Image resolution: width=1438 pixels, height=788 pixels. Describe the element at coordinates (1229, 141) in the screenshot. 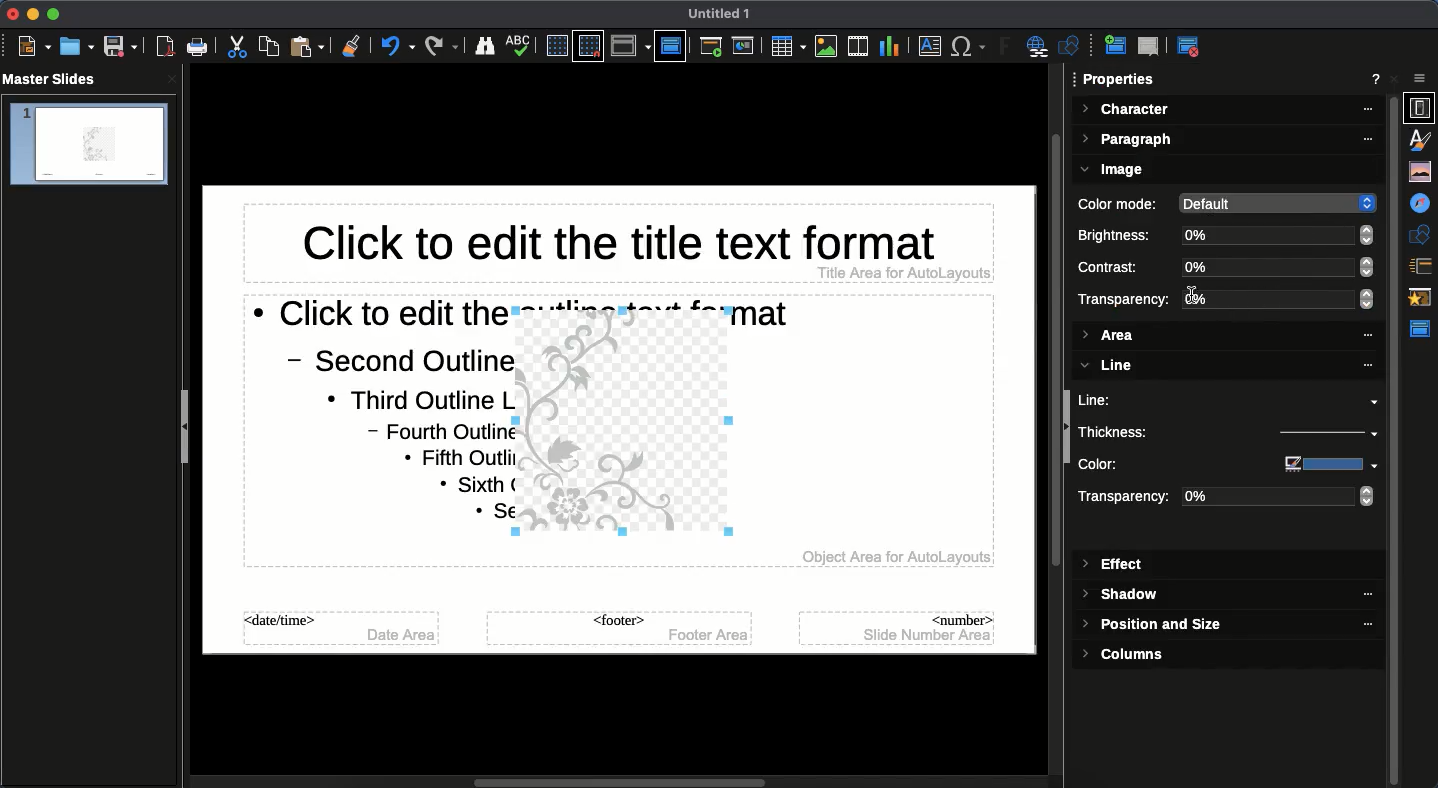

I see `Paragraph` at that location.